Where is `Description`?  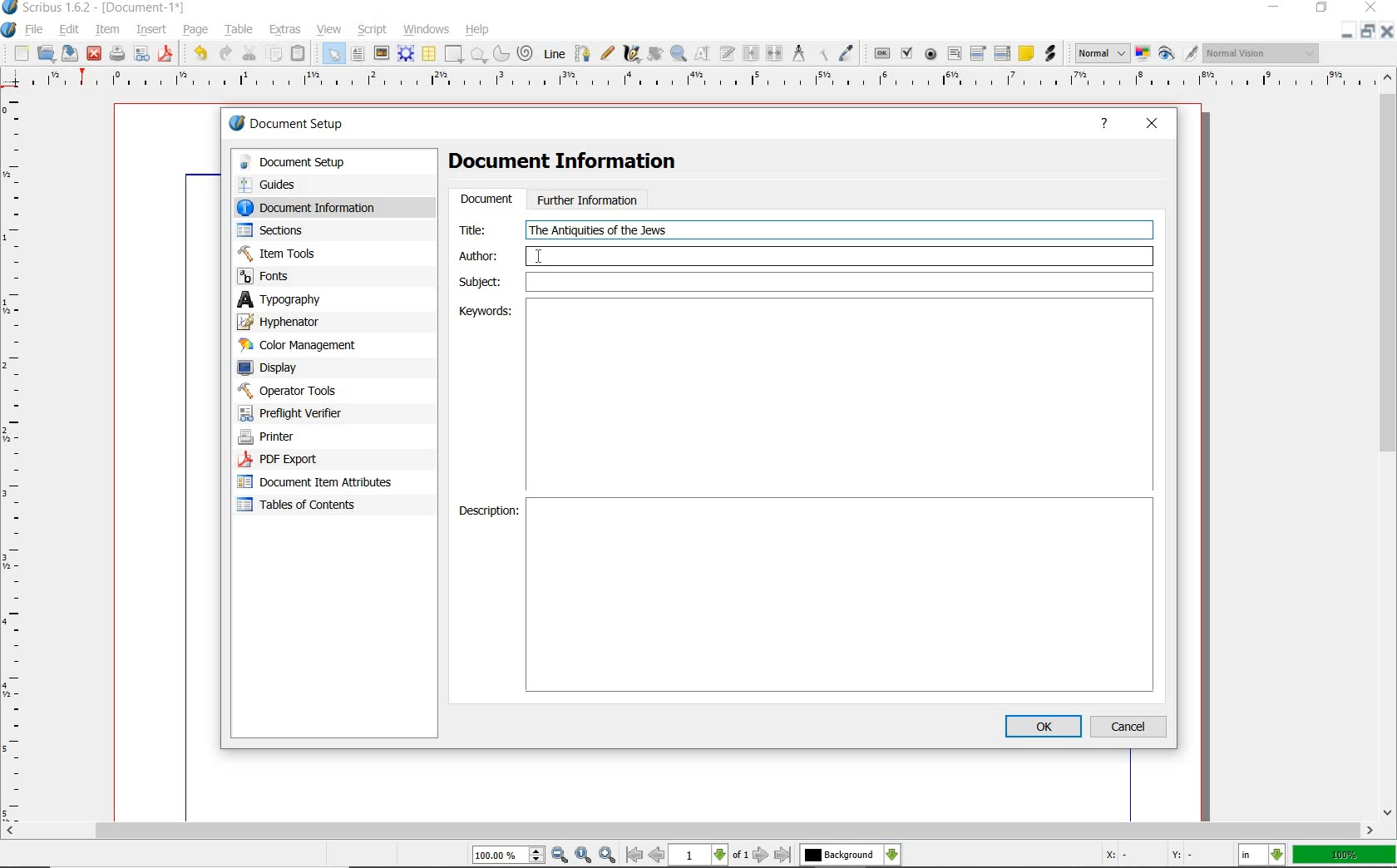
Description is located at coordinates (842, 594).